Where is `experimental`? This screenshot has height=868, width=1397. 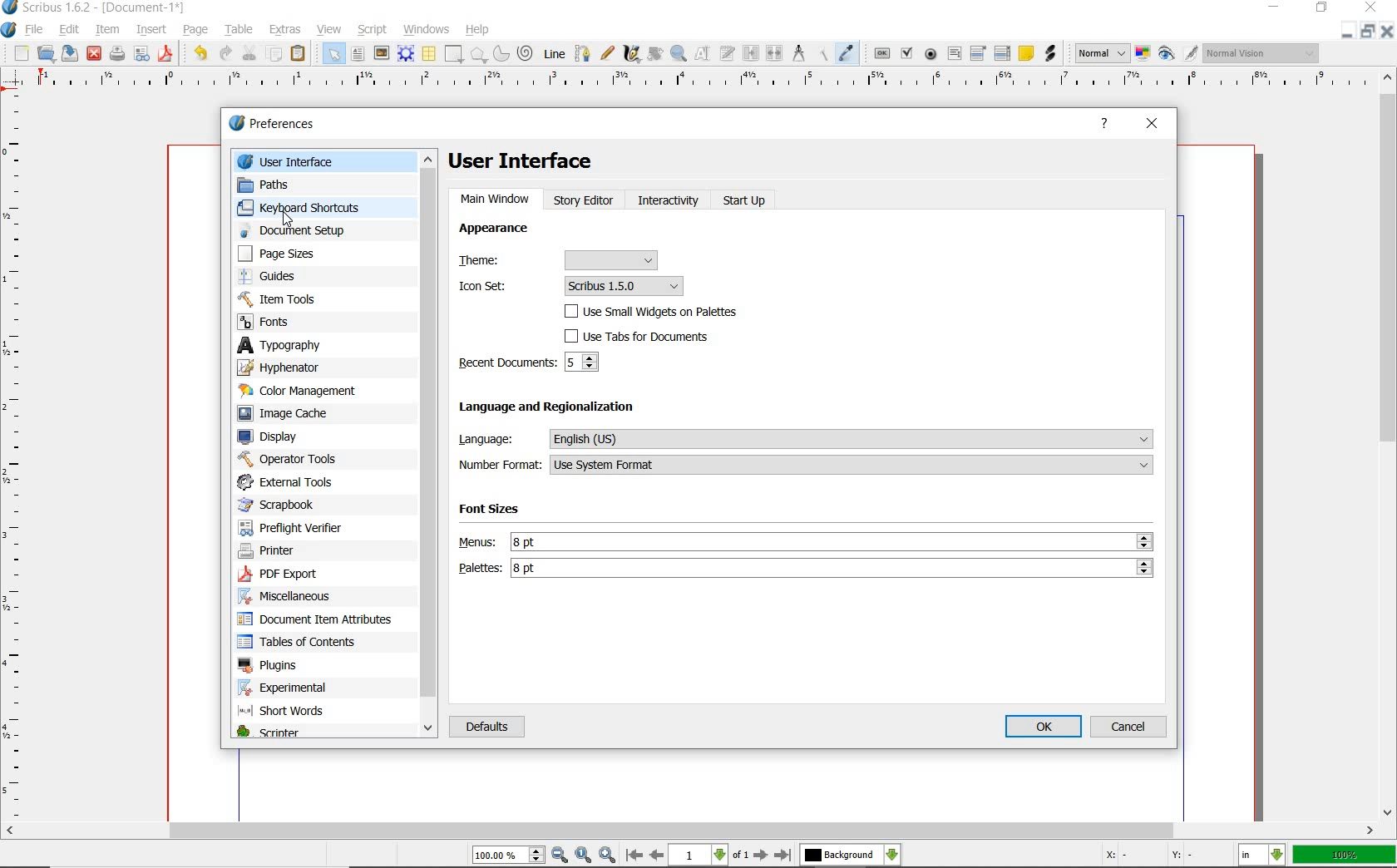
experimental is located at coordinates (304, 688).